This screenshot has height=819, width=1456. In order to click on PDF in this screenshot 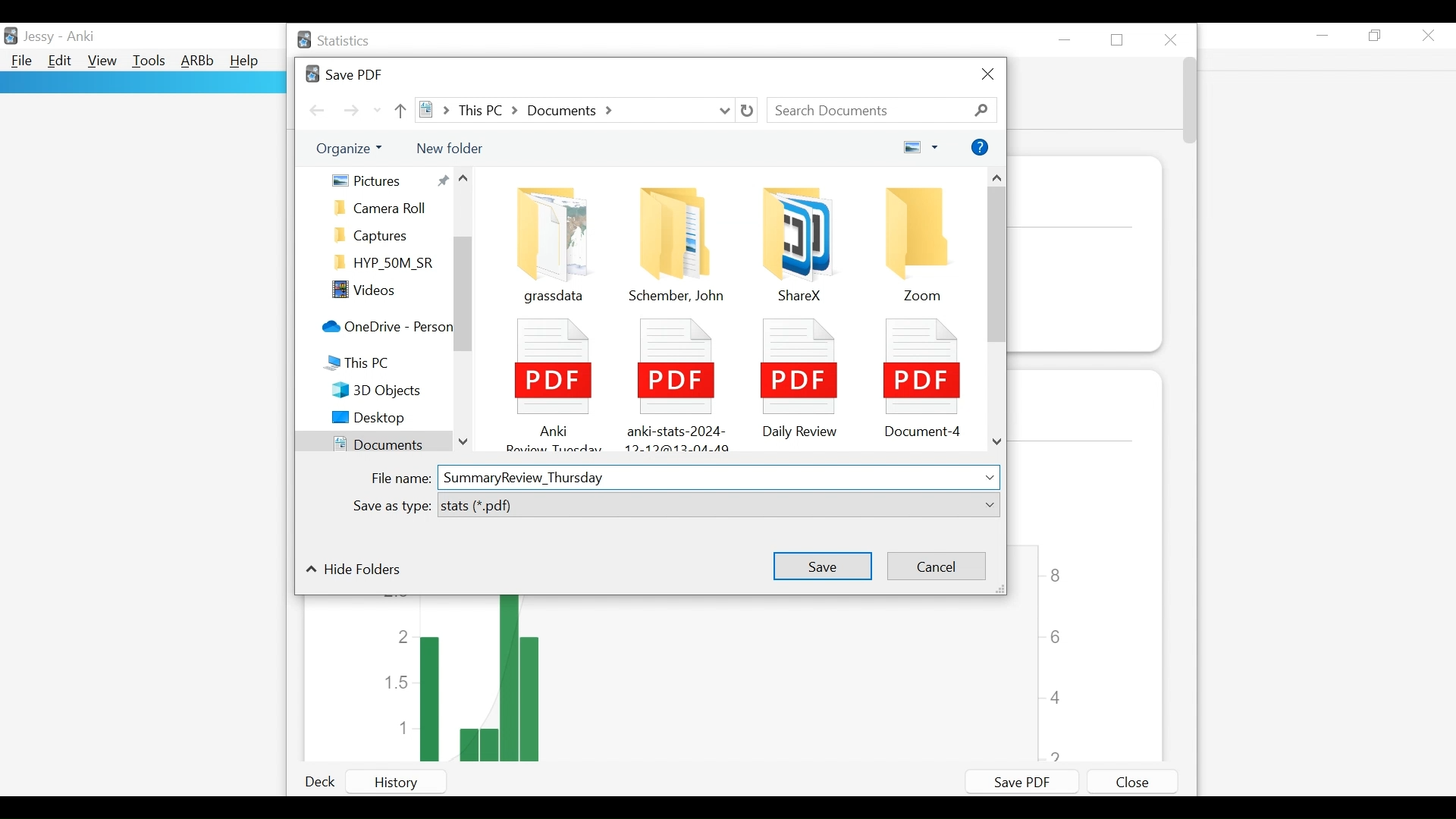, I will do `click(673, 380)`.